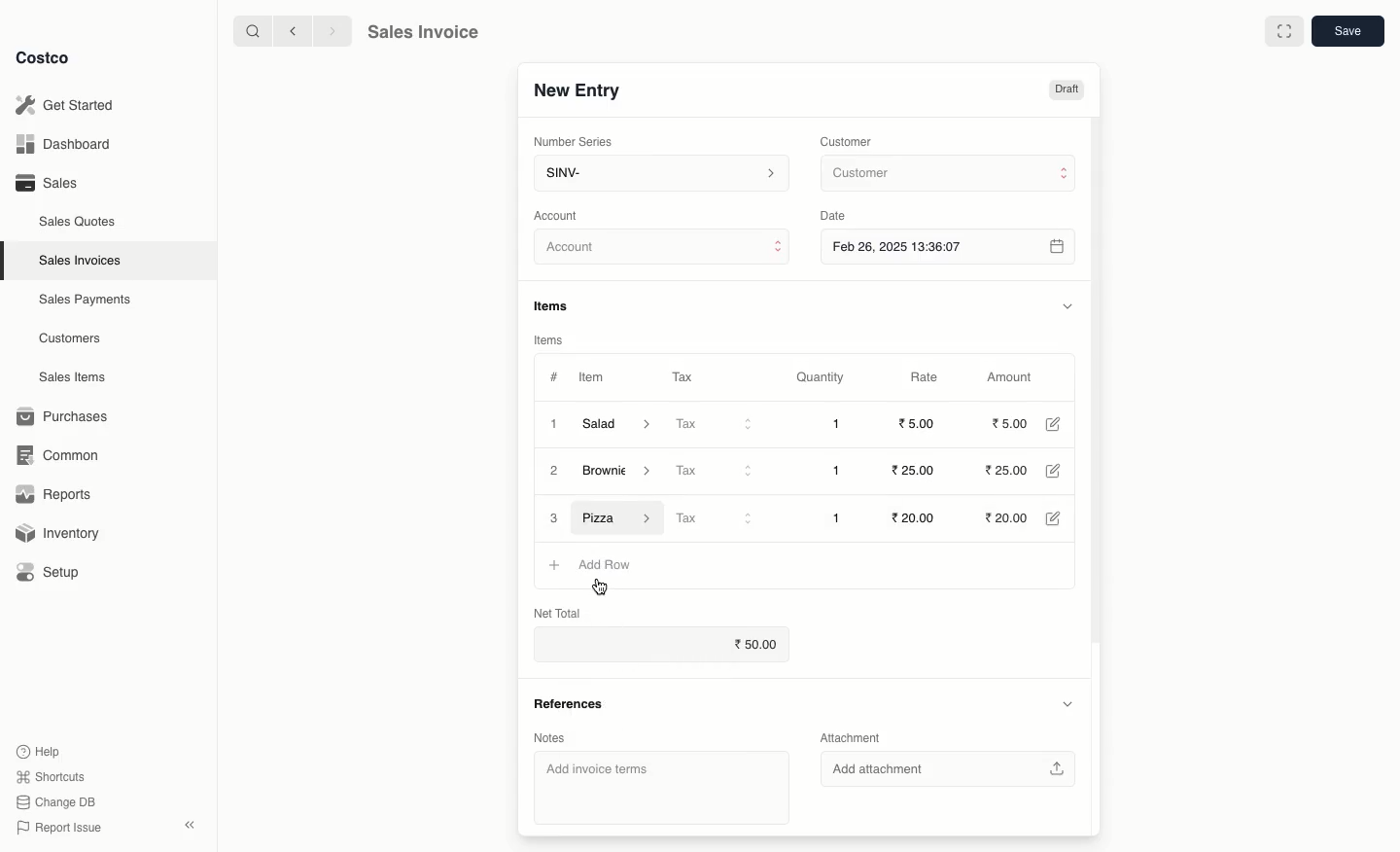 Image resolution: width=1400 pixels, height=852 pixels. I want to click on Full width toggle, so click(1282, 32).